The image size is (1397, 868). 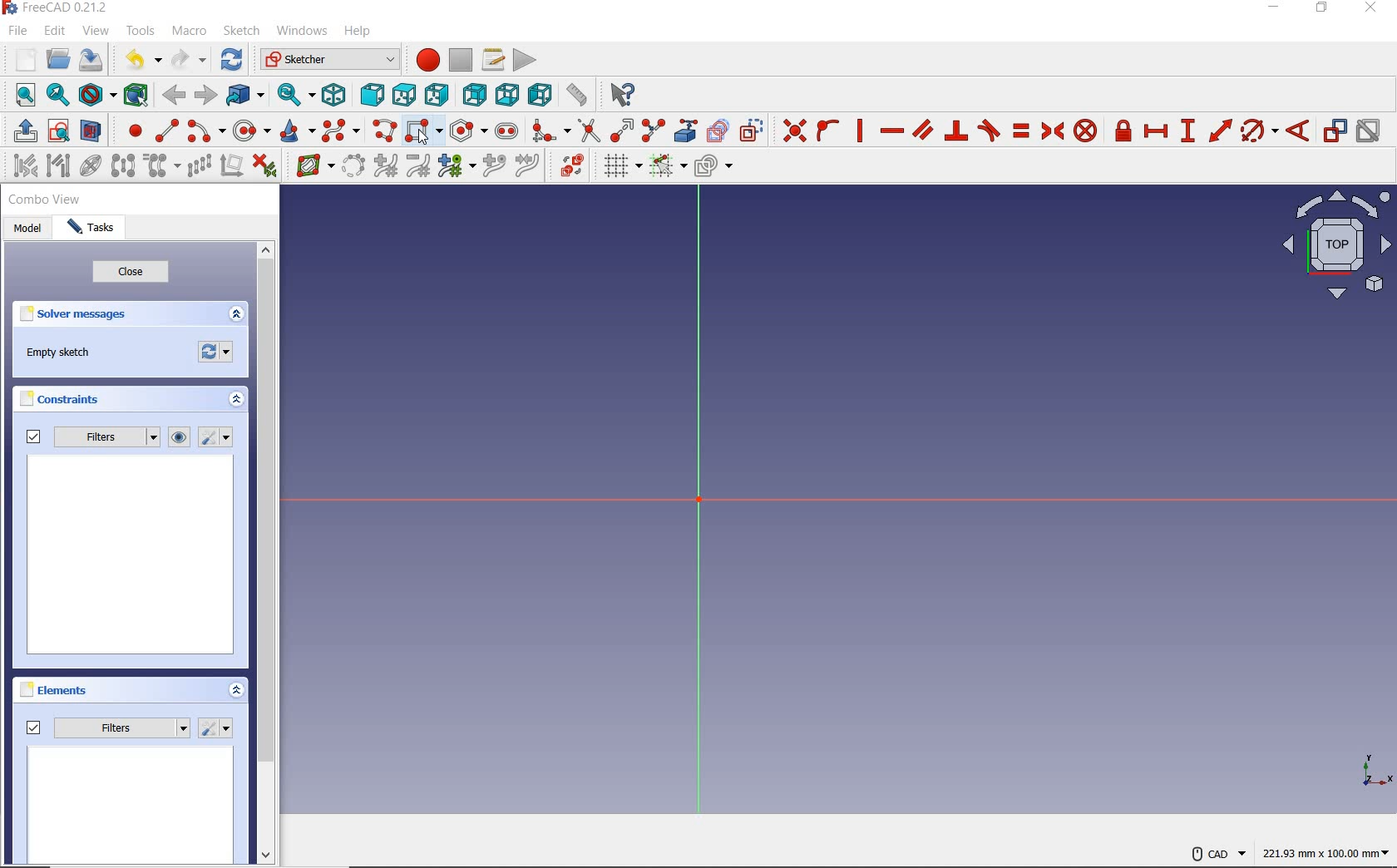 What do you see at coordinates (132, 131) in the screenshot?
I see `create point` at bounding box center [132, 131].